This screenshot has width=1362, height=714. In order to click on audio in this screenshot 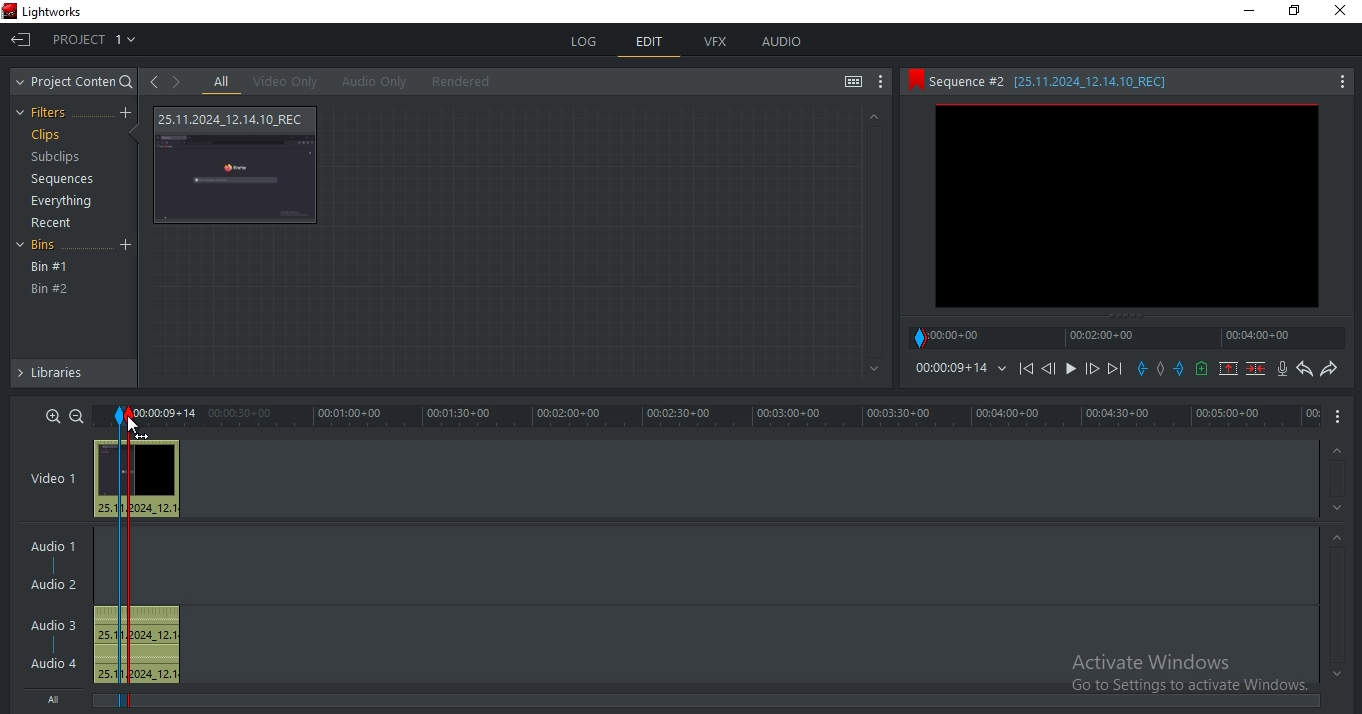, I will do `click(141, 644)`.